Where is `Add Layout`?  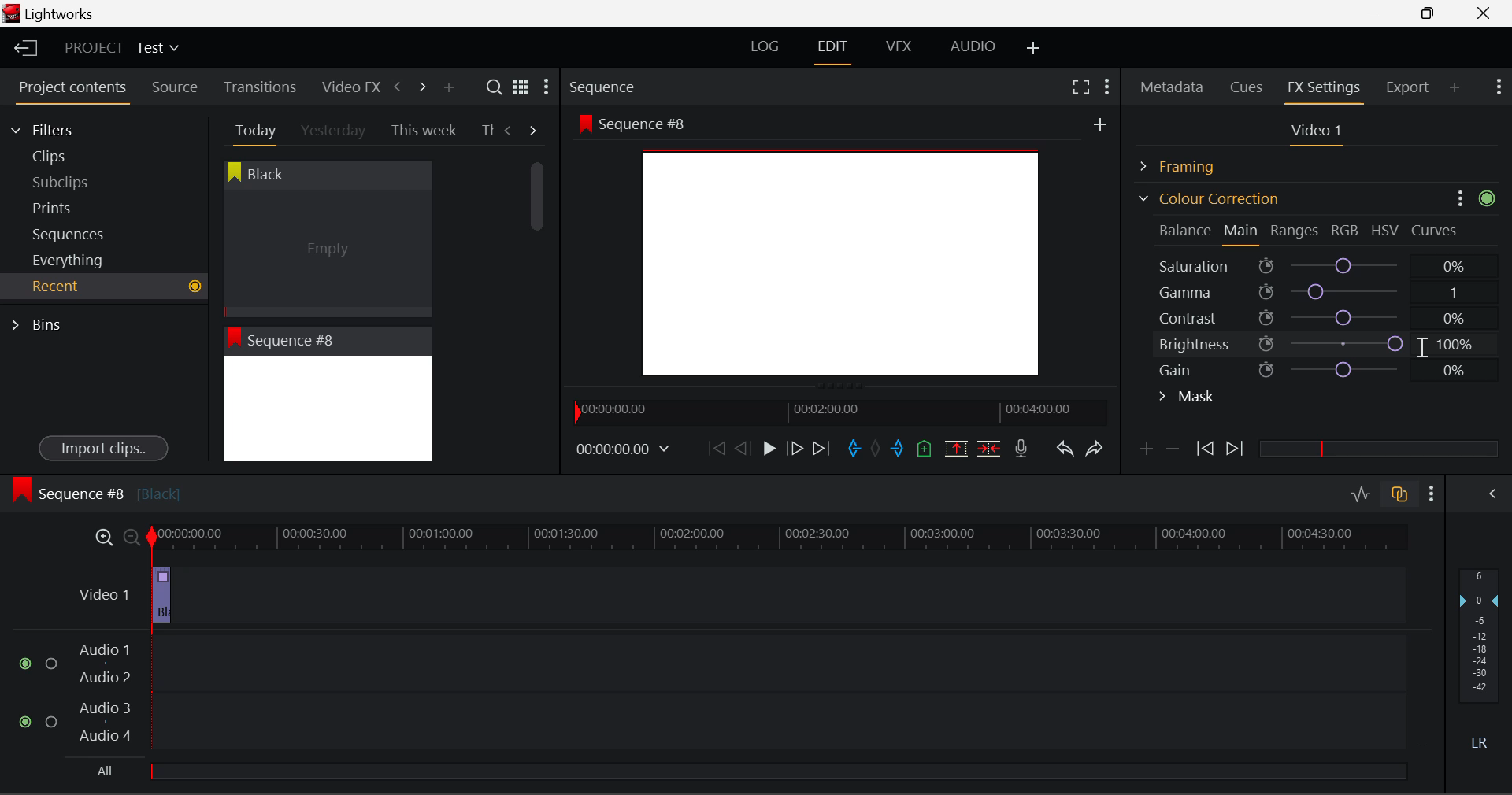
Add Layout is located at coordinates (1034, 49).